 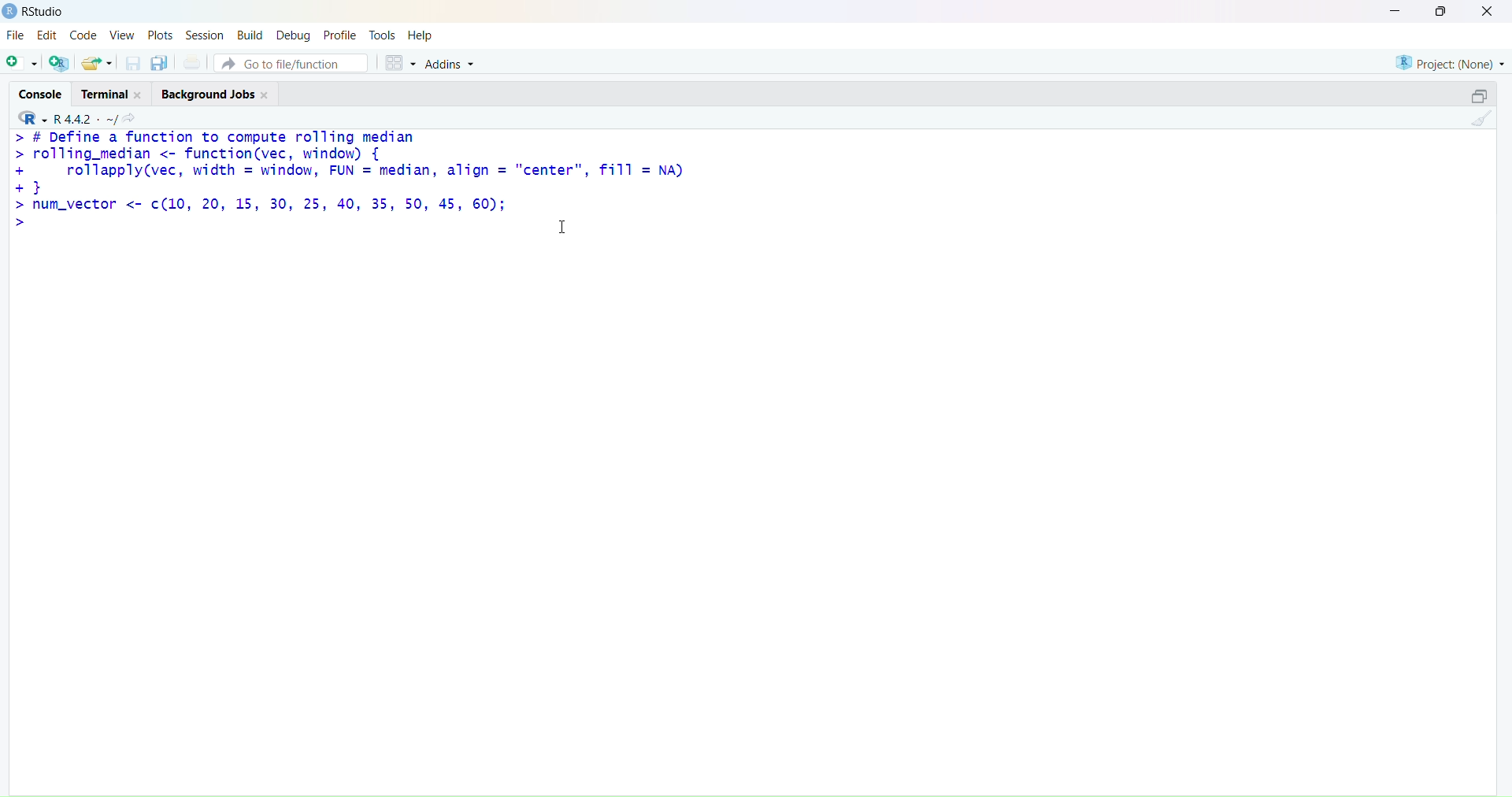 I want to click on addins, so click(x=449, y=65).